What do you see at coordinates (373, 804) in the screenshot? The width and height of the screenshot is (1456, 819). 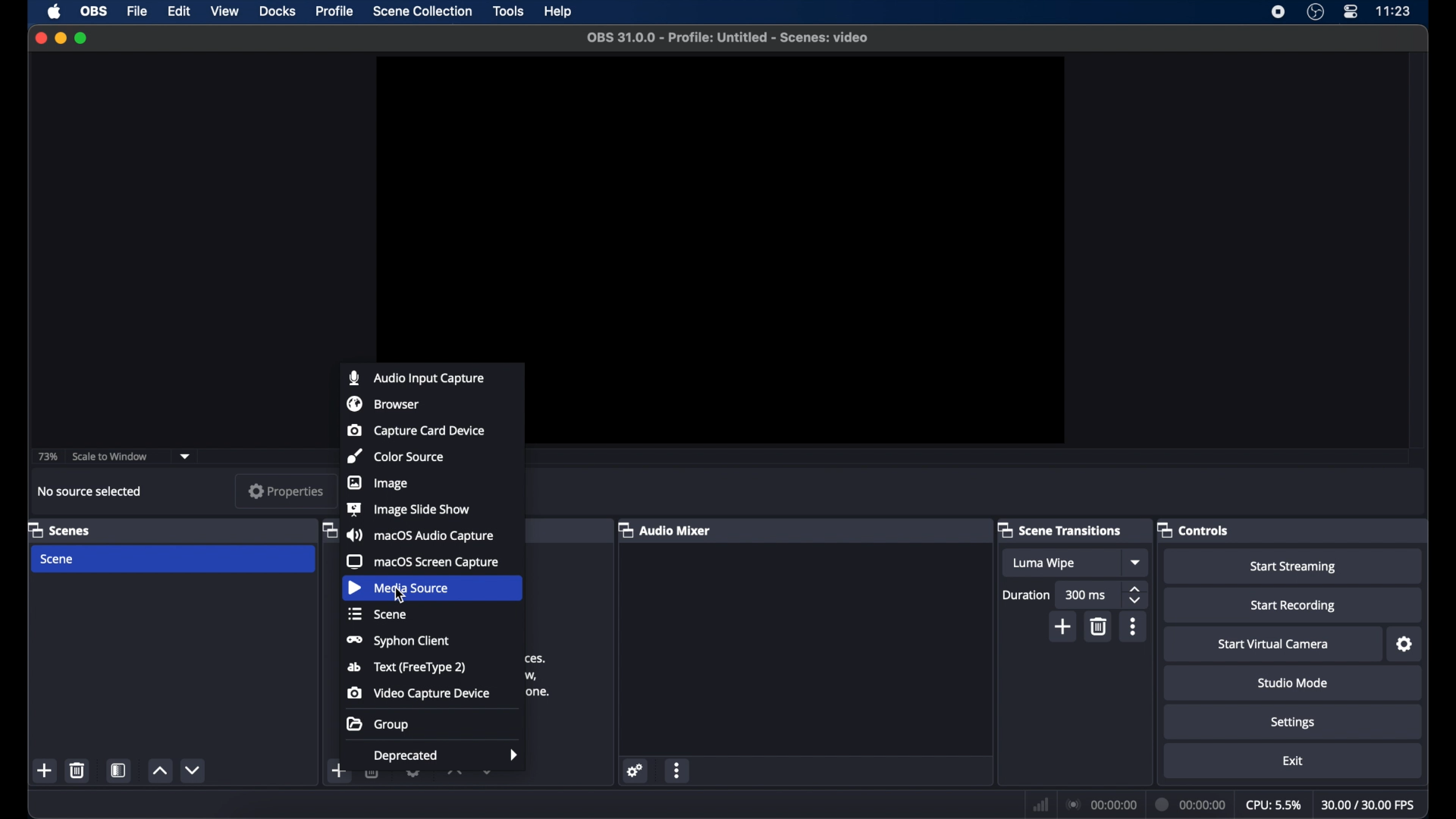 I see `add source` at bounding box center [373, 804].